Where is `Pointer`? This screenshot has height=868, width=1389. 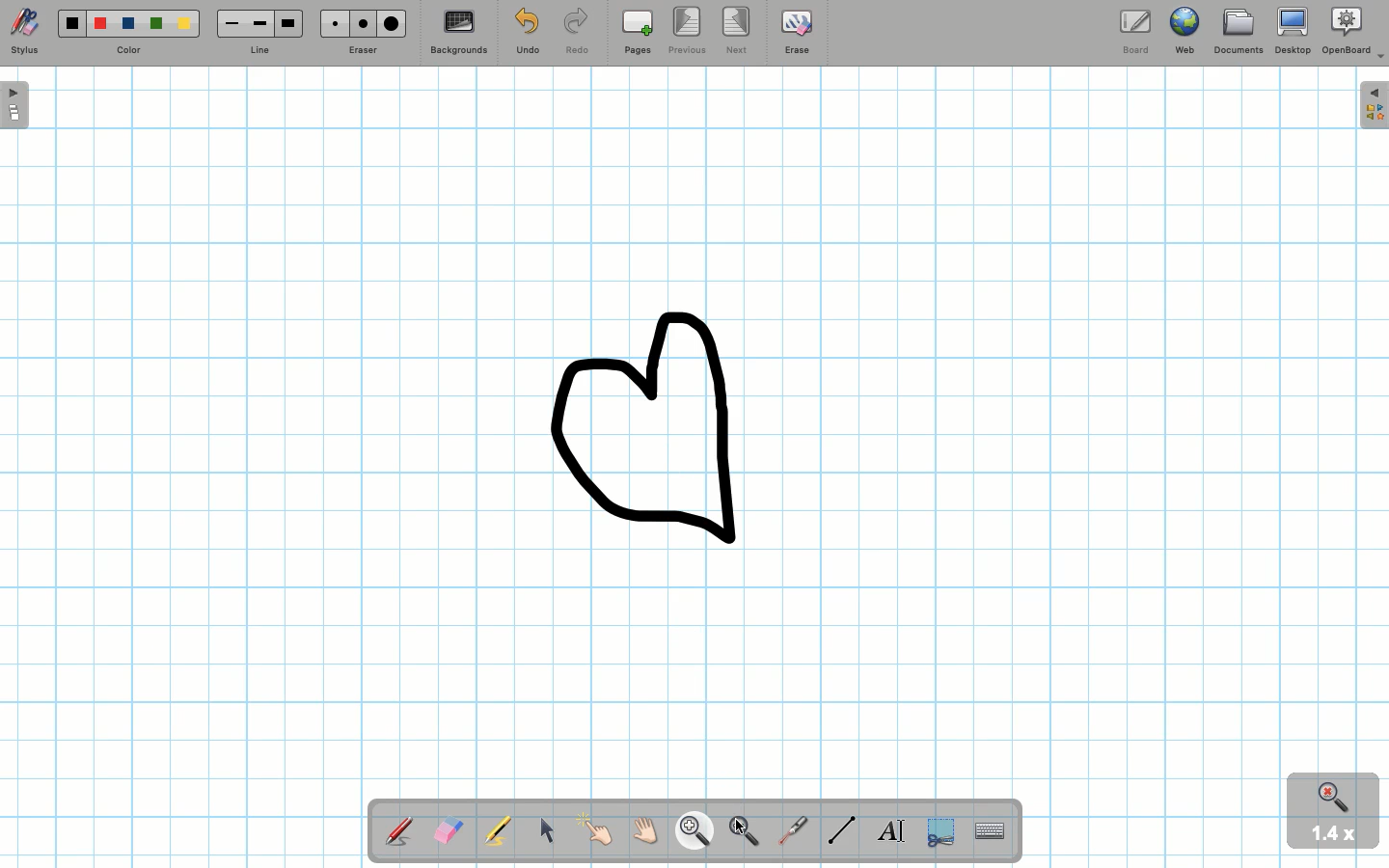 Pointer is located at coordinates (598, 830).